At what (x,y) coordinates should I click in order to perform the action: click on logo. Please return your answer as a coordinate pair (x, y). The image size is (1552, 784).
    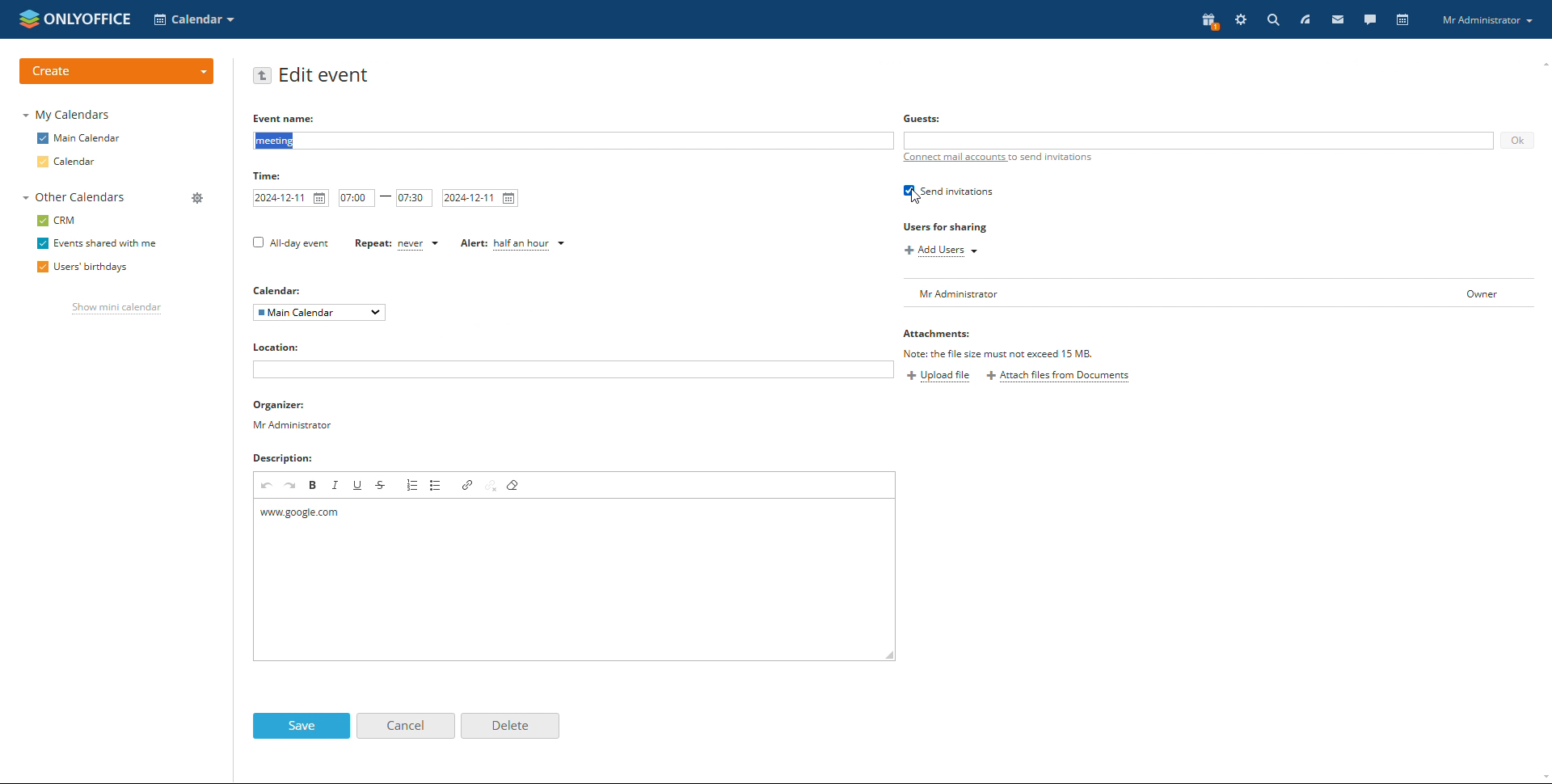
    Looking at the image, I should click on (75, 19).